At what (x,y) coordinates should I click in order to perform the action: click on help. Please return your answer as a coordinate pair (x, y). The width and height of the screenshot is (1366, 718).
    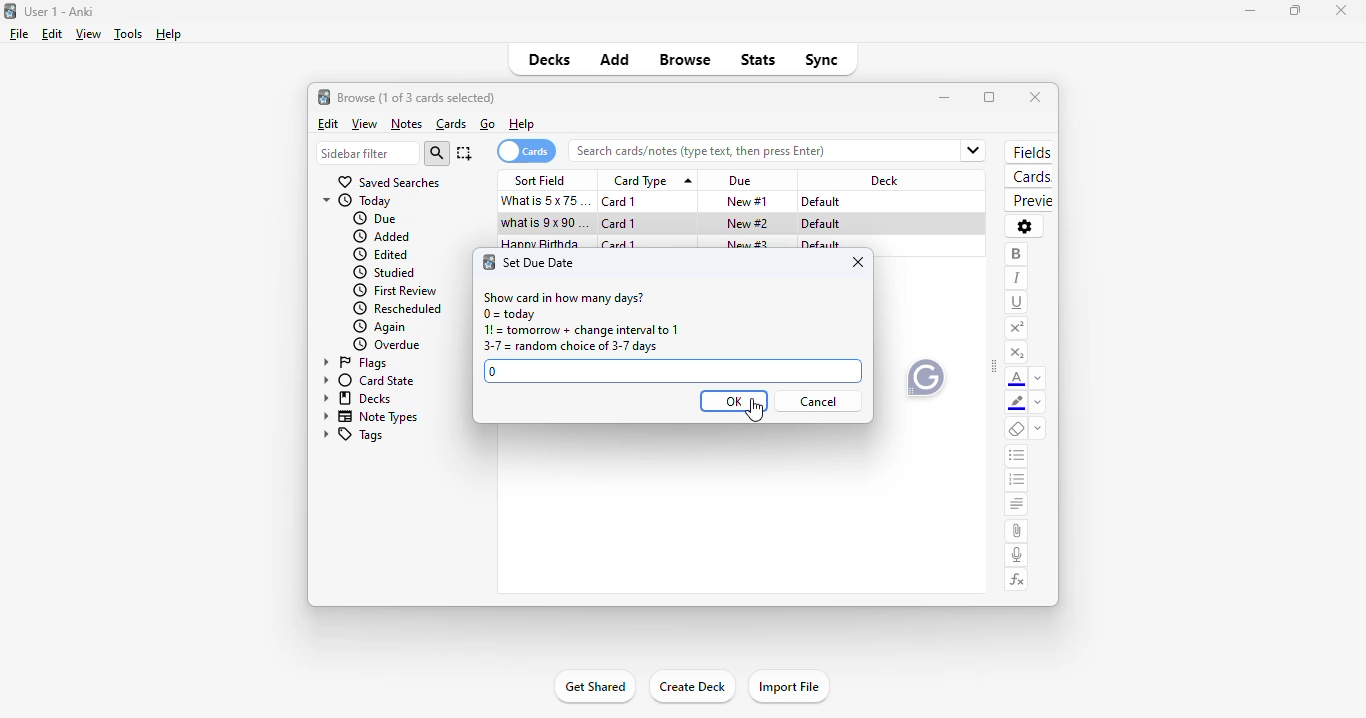
    Looking at the image, I should click on (170, 35).